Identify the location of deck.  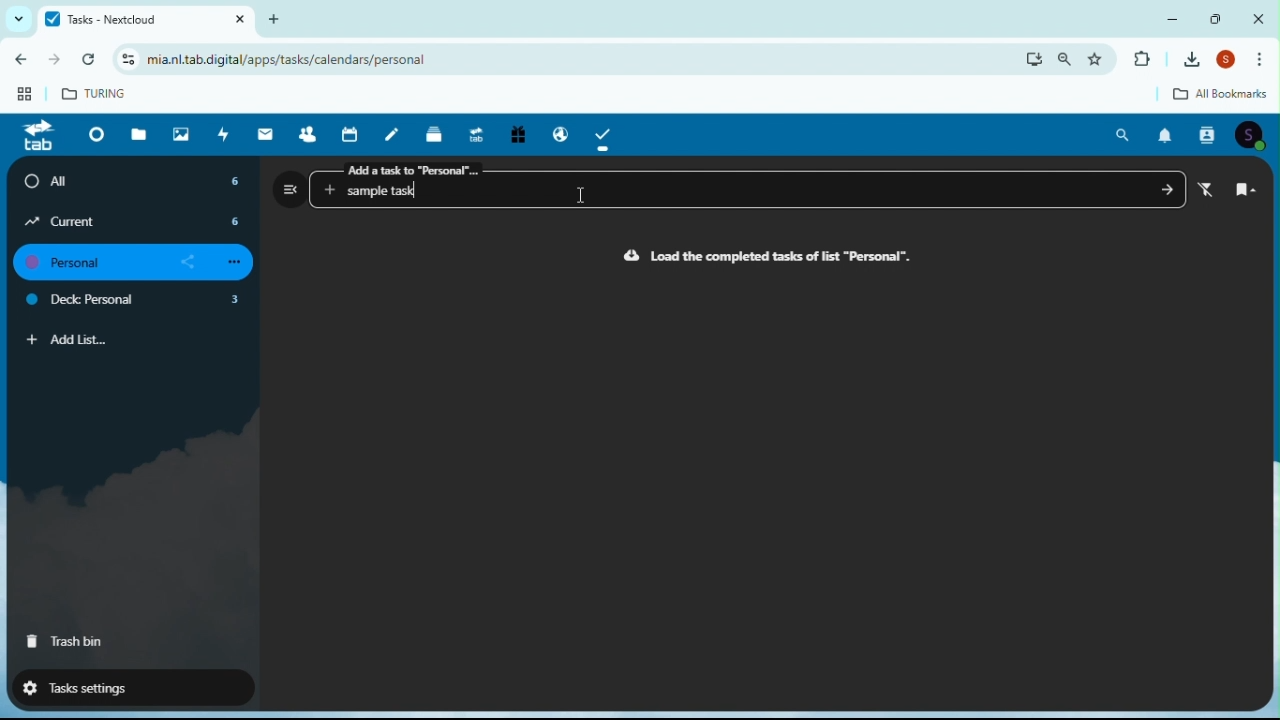
(436, 133).